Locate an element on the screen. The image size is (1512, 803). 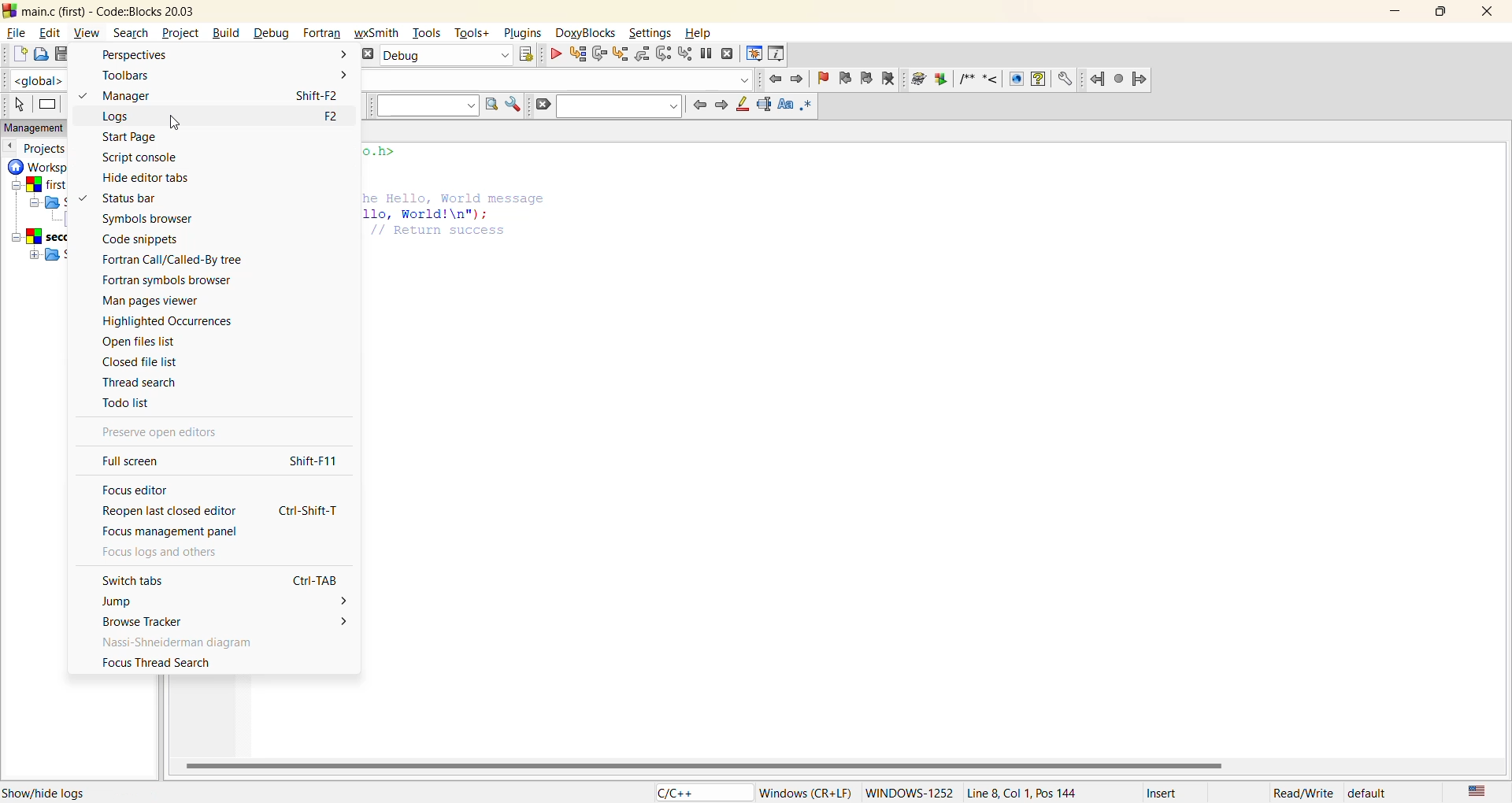
edit is located at coordinates (53, 33).